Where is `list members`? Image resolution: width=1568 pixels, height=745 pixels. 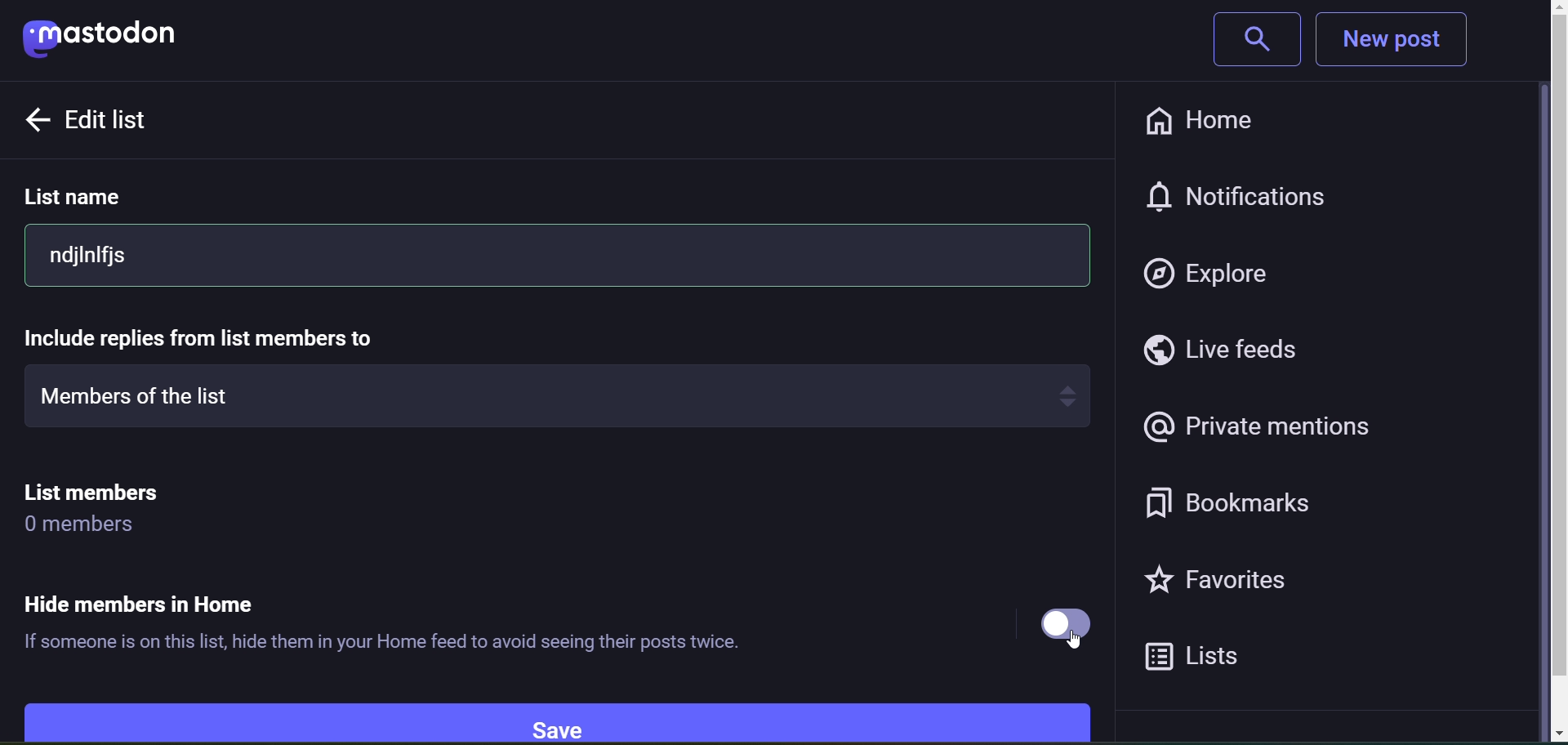
list members is located at coordinates (134, 491).